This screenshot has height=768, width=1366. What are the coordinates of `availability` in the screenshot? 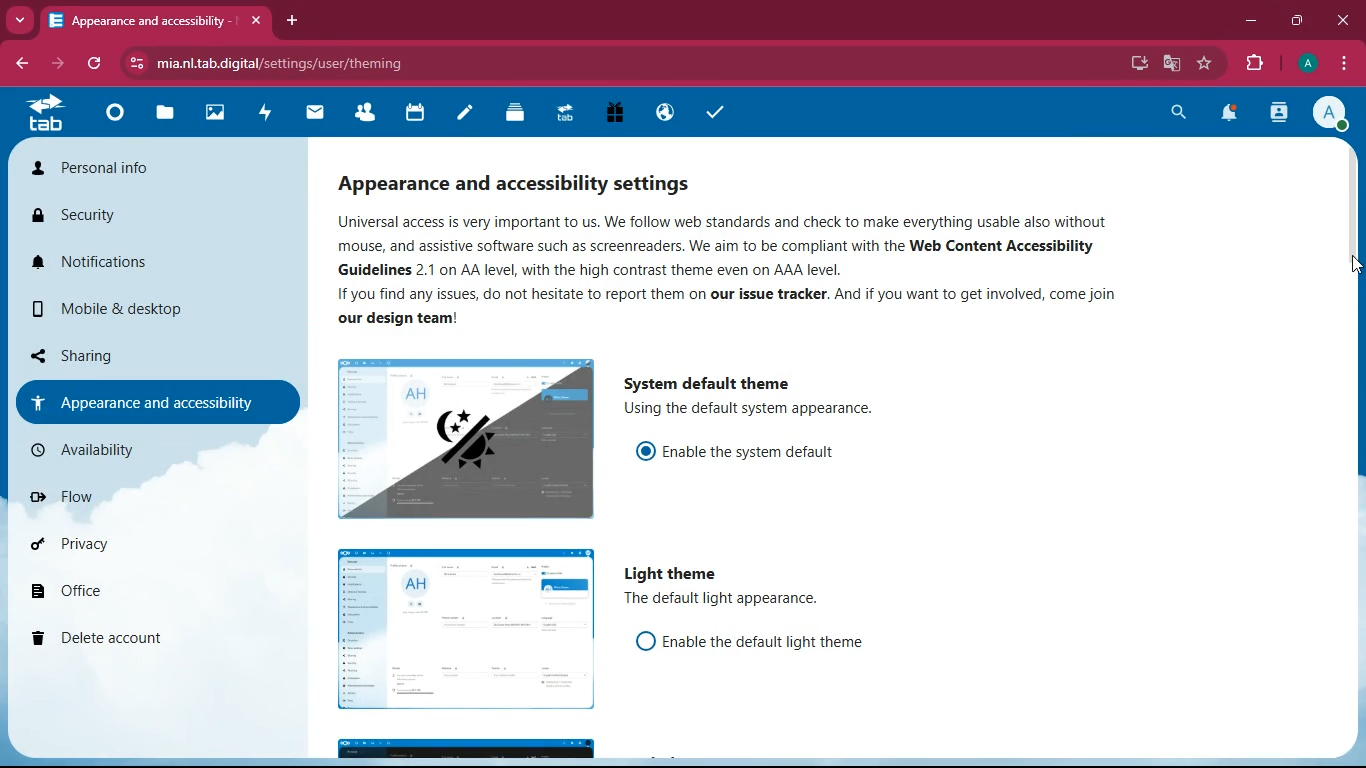 It's located at (135, 448).